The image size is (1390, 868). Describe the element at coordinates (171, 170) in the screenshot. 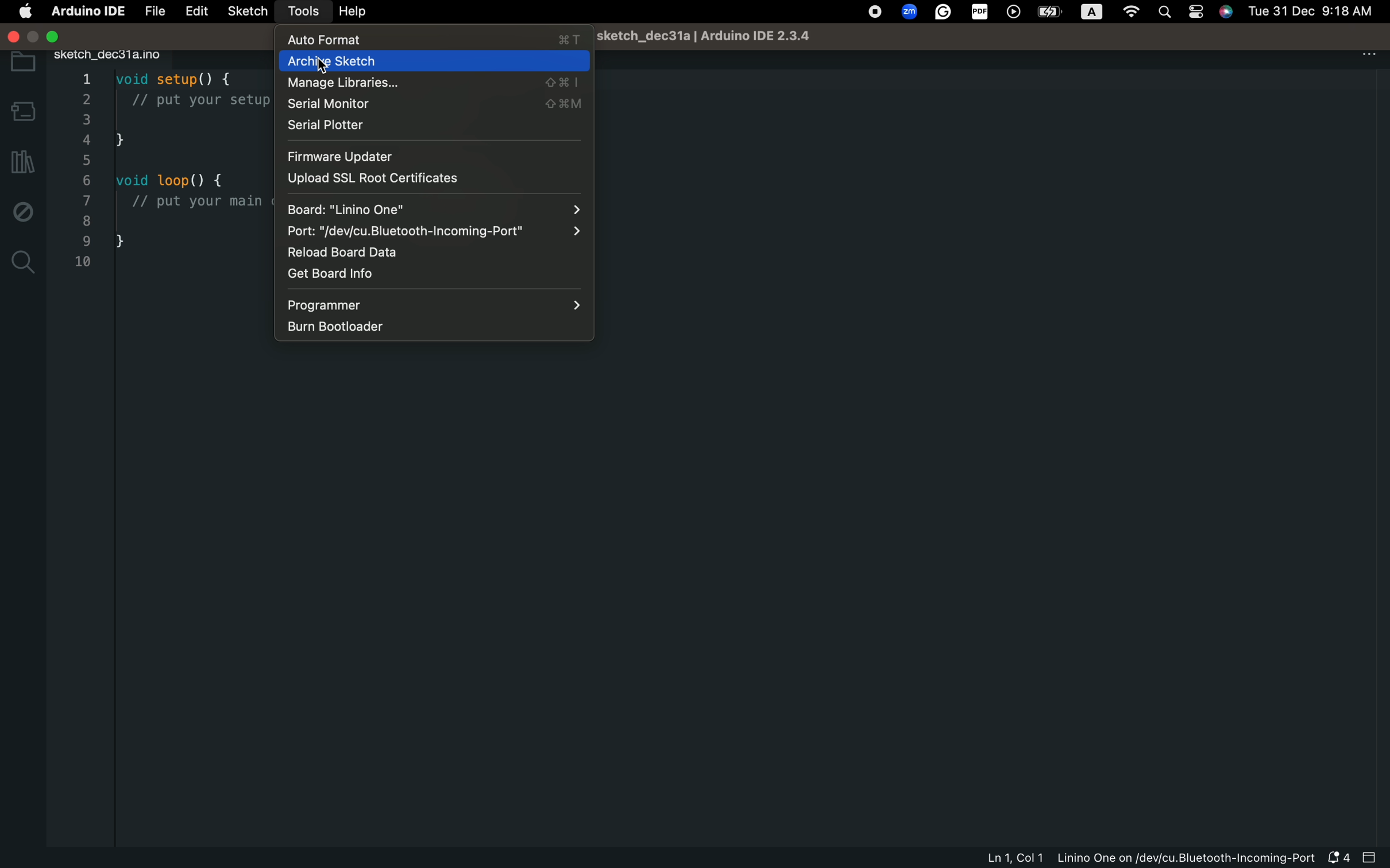

I see `code` at that location.